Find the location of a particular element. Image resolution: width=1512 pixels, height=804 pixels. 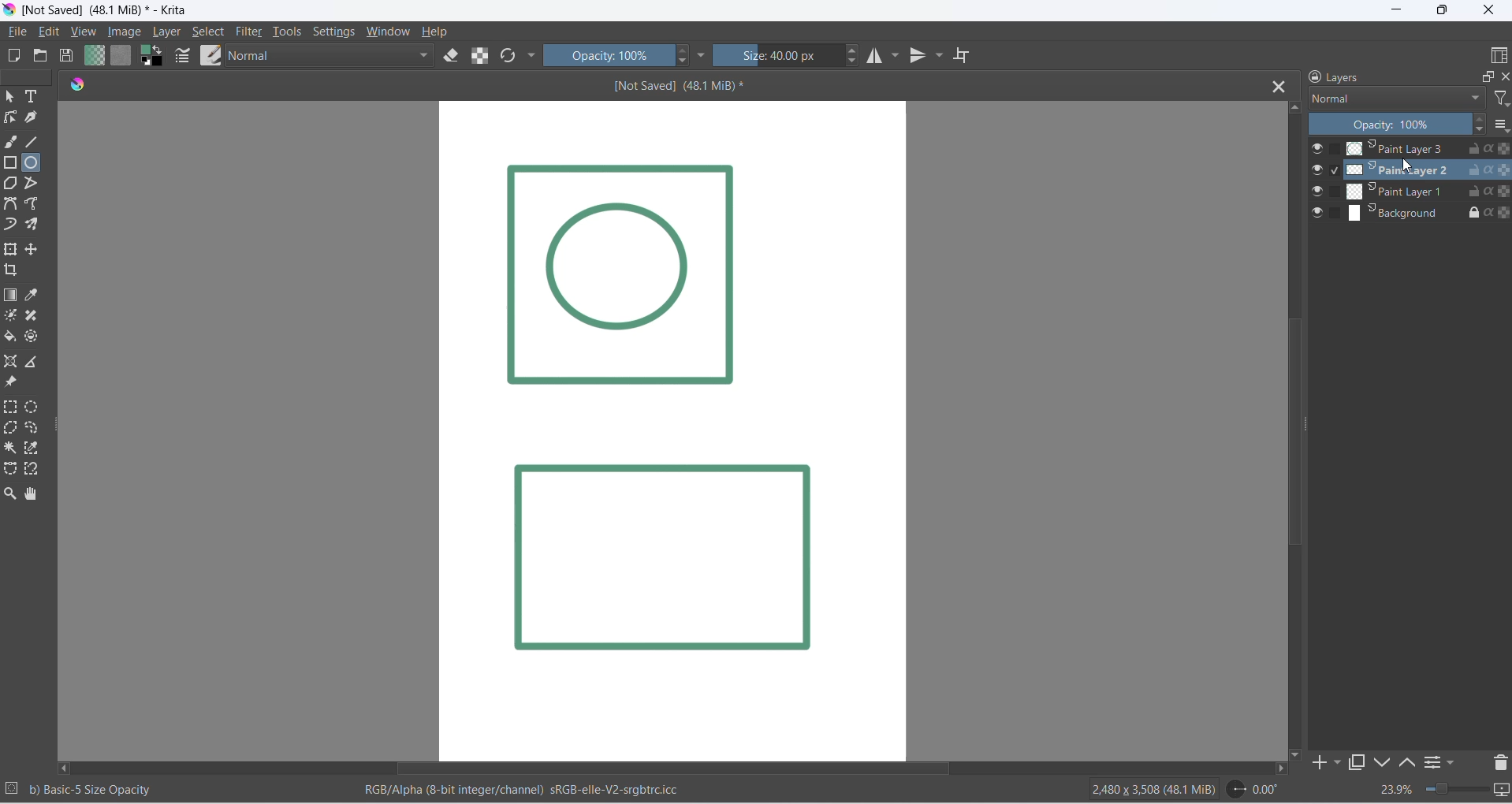

checkbox is located at coordinates (1335, 169).